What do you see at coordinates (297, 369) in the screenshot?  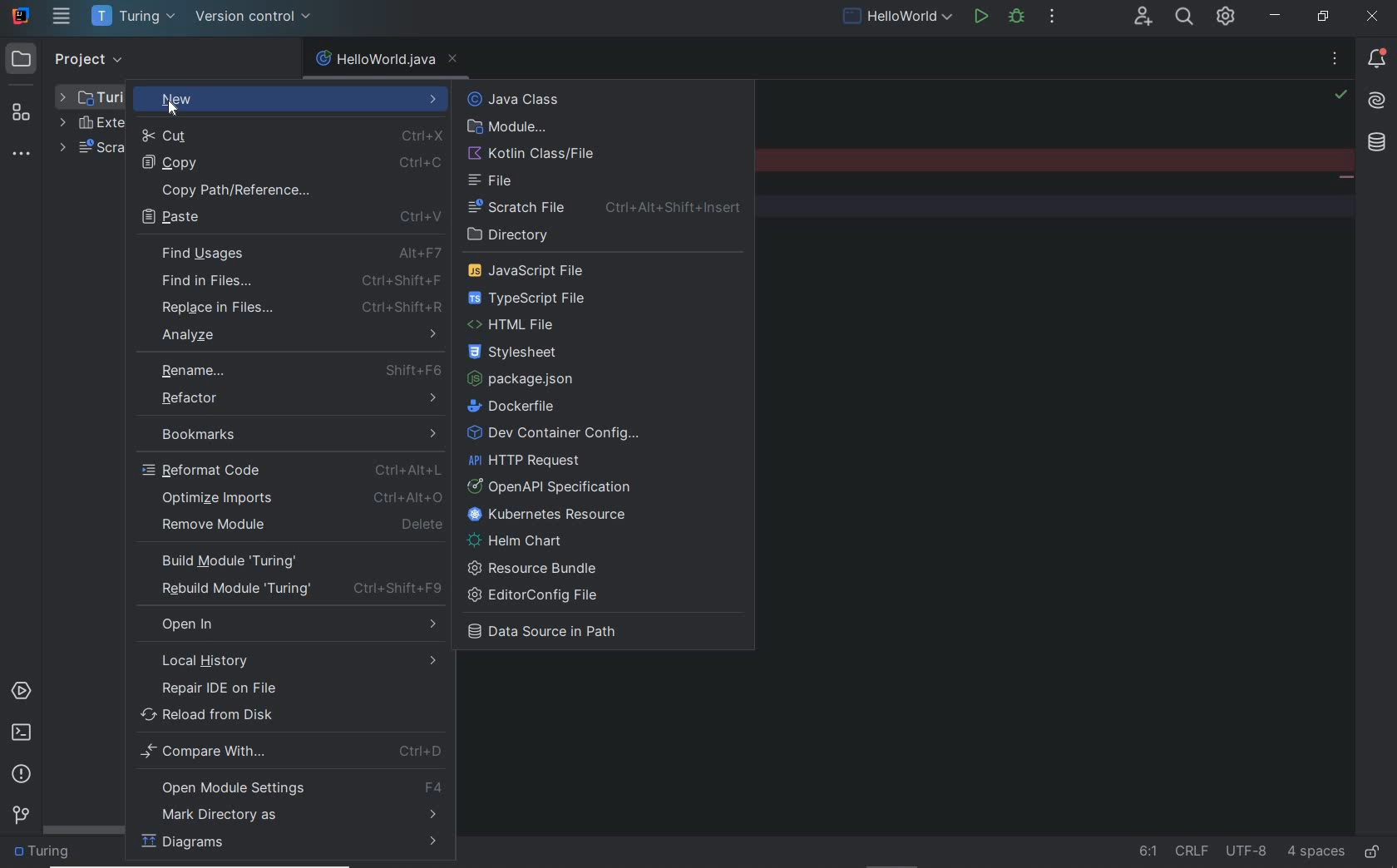 I see `rename` at bounding box center [297, 369].